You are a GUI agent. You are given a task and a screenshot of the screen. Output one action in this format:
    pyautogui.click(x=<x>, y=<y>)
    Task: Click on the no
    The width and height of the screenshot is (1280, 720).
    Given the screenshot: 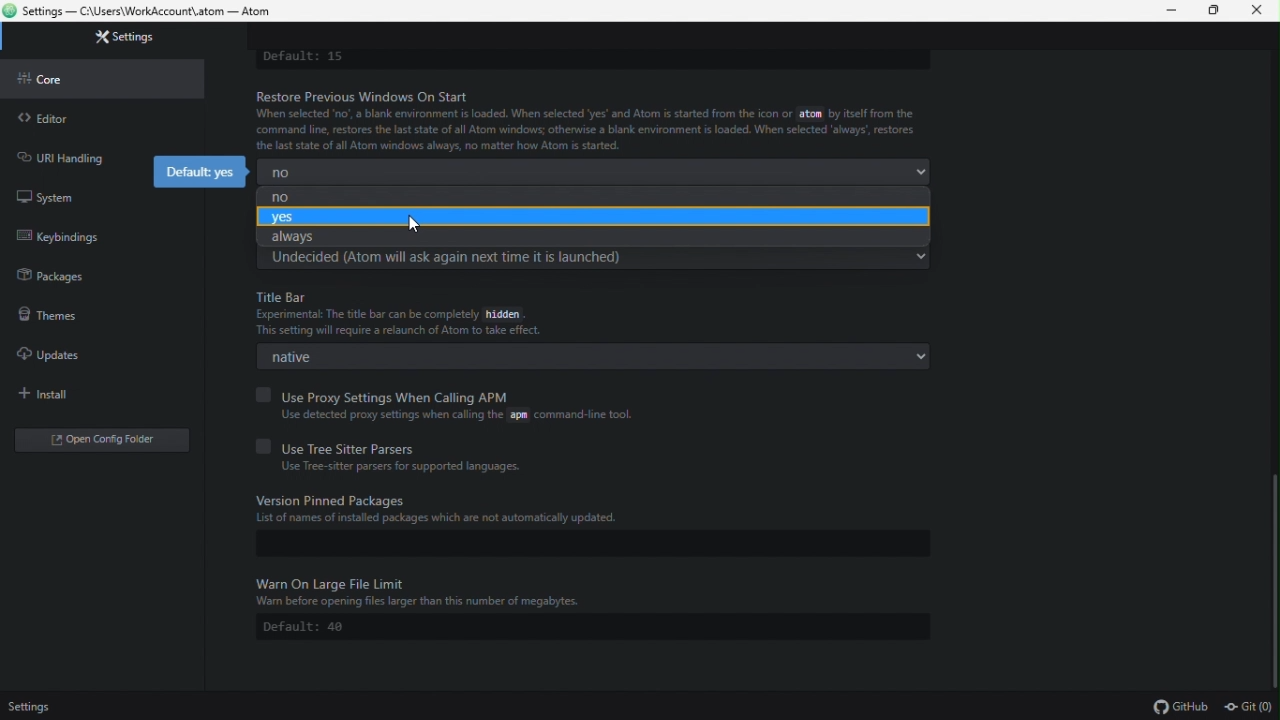 What is the action you would take?
    pyautogui.click(x=584, y=196)
    